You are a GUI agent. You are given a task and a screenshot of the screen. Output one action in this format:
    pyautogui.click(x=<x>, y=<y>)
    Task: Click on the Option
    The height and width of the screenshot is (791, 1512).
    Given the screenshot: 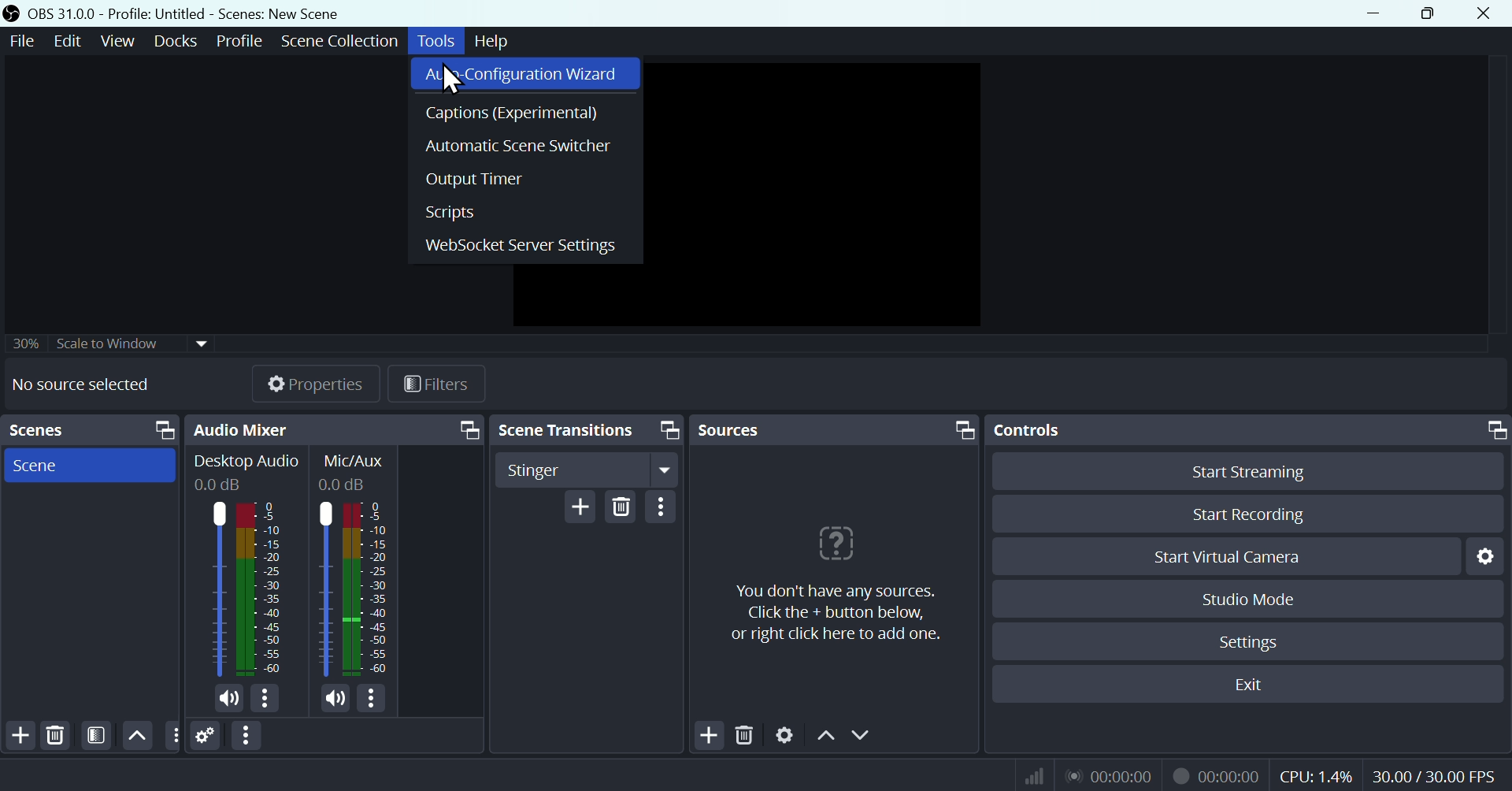 What is the action you would take?
    pyautogui.click(x=661, y=507)
    